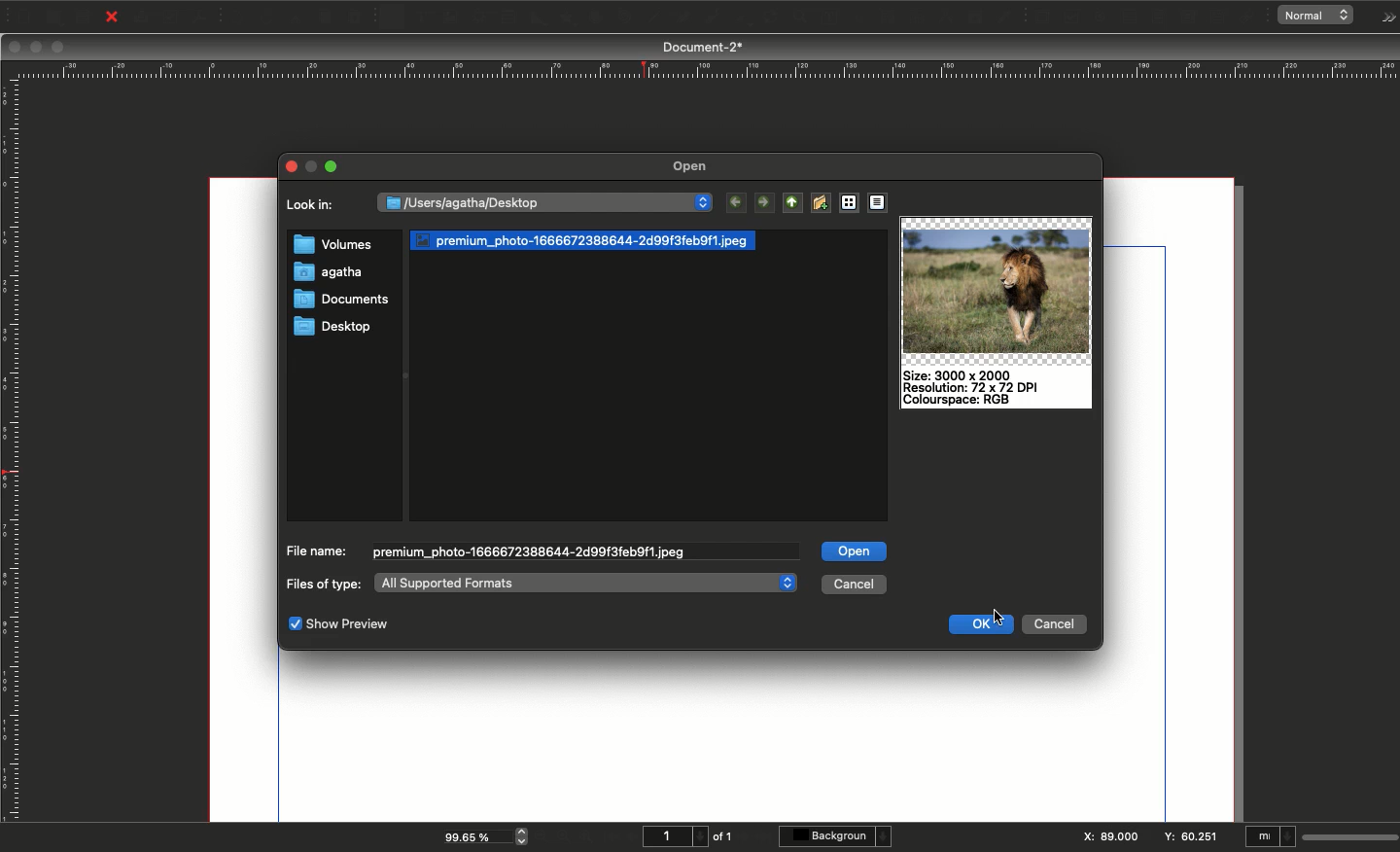  What do you see at coordinates (855, 584) in the screenshot?
I see `Cancel` at bounding box center [855, 584].